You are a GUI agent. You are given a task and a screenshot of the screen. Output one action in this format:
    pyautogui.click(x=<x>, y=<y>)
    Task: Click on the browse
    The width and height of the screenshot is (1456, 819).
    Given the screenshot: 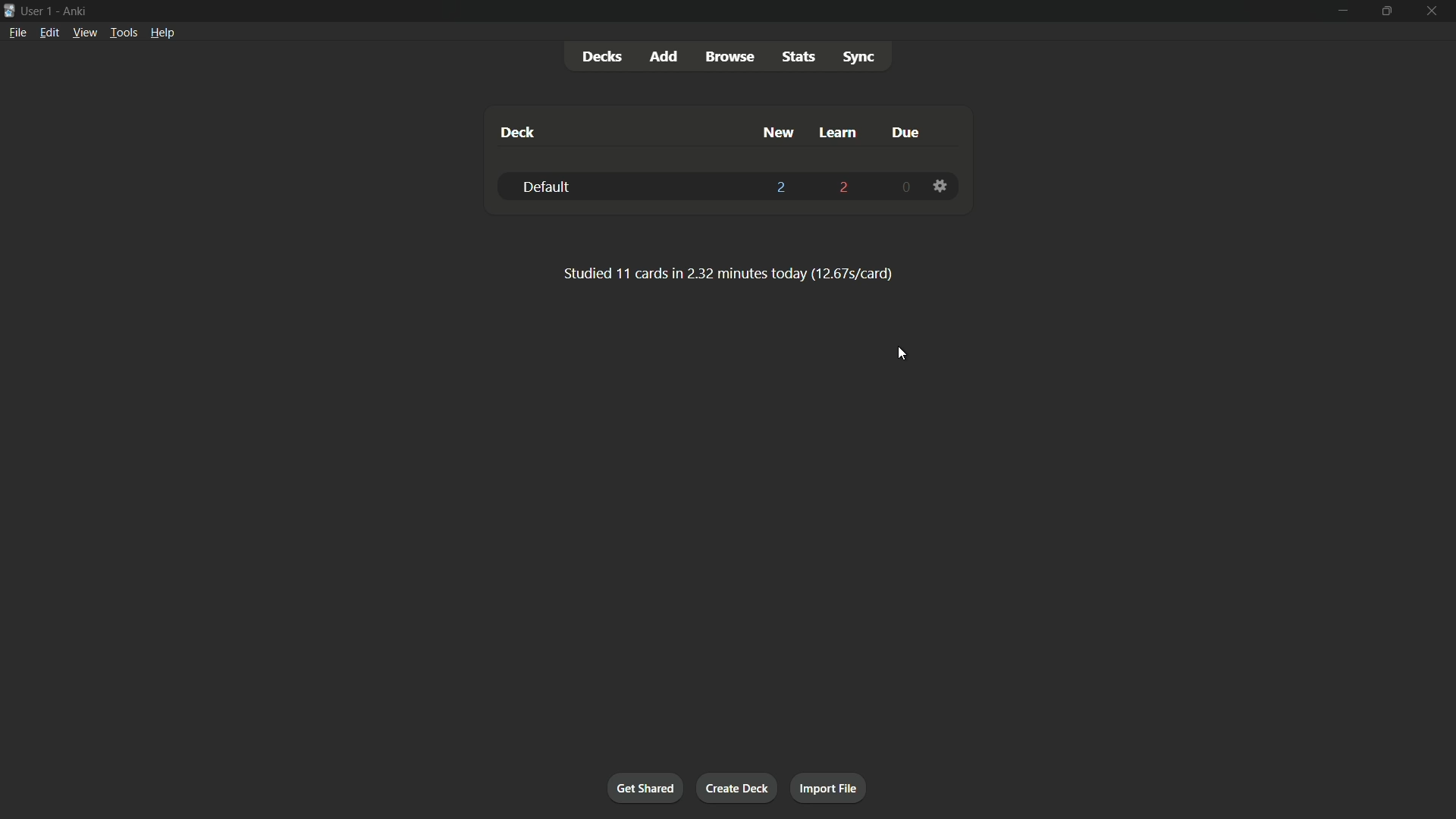 What is the action you would take?
    pyautogui.click(x=729, y=56)
    